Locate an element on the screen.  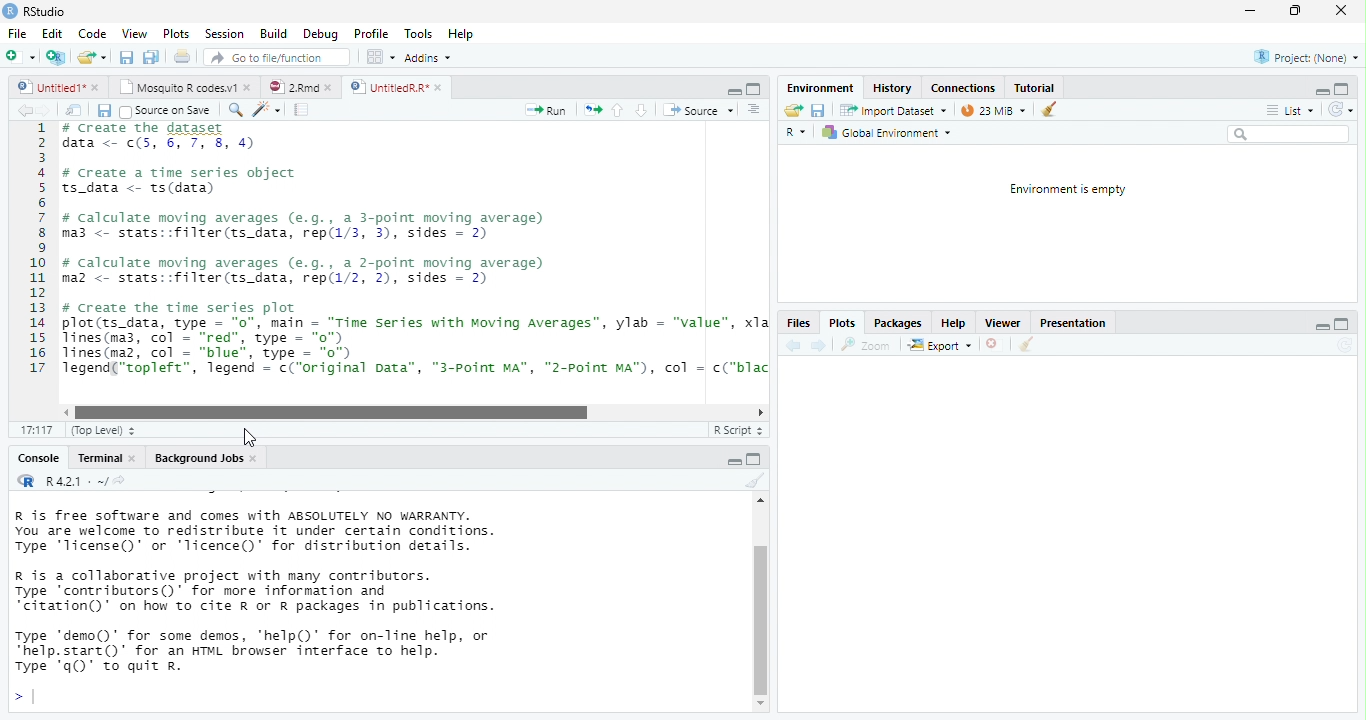
R 4.2.1 . ~/ is located at coordinates (74, 480).